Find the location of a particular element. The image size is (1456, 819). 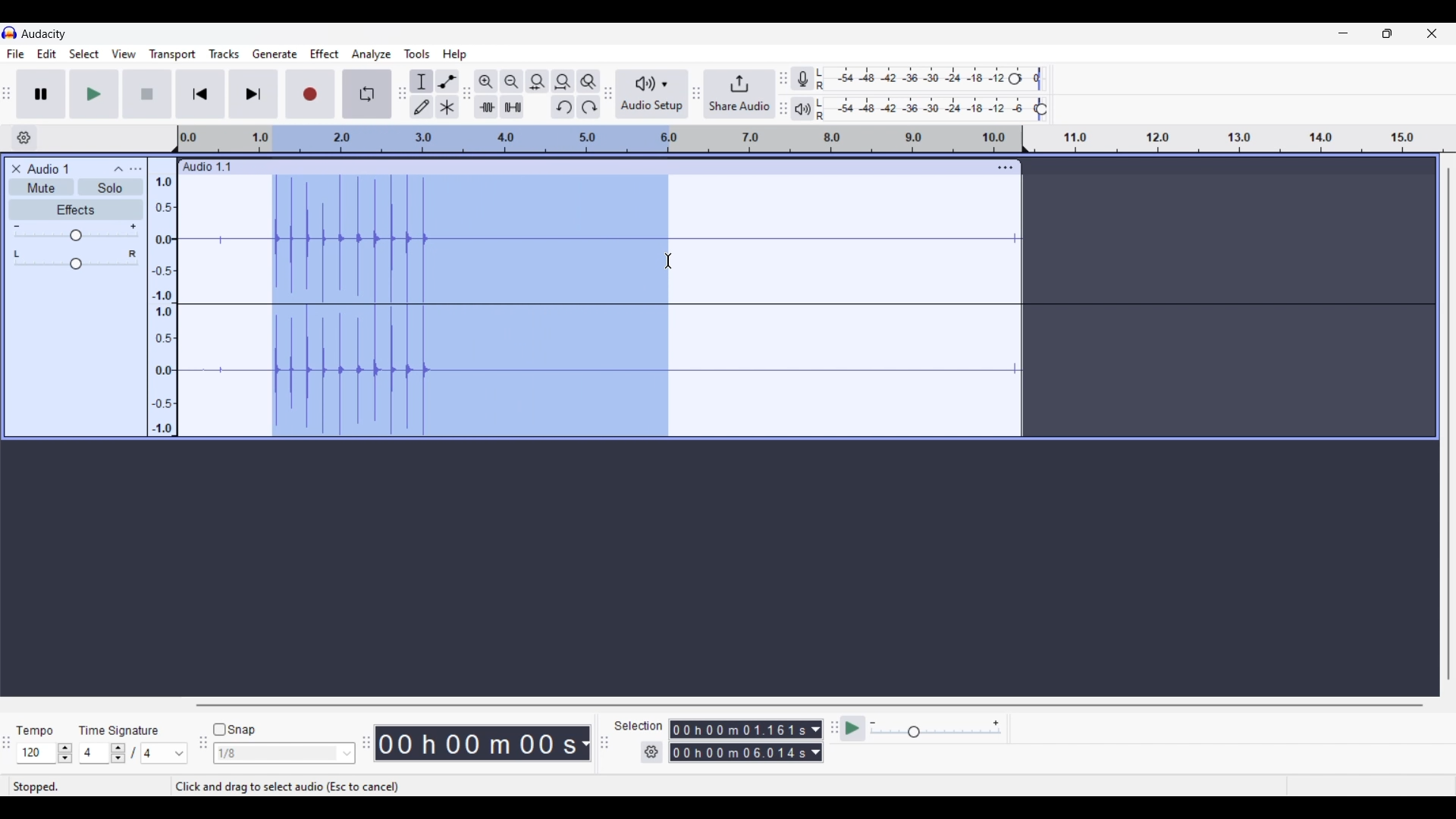

Edit menu is located at coordinates (47, 53).